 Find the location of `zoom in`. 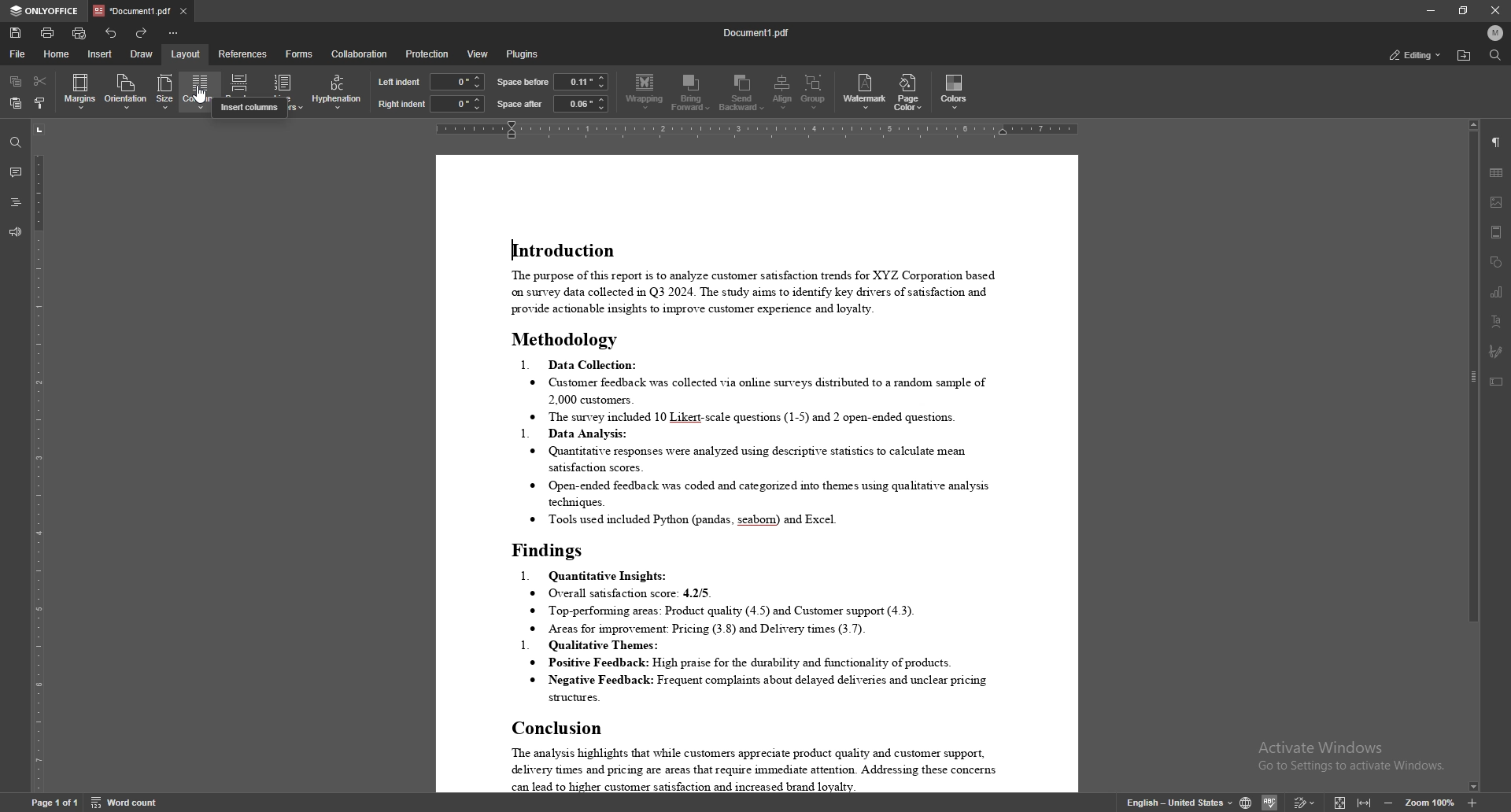

zoom in is located at coordinates (1472, 803).